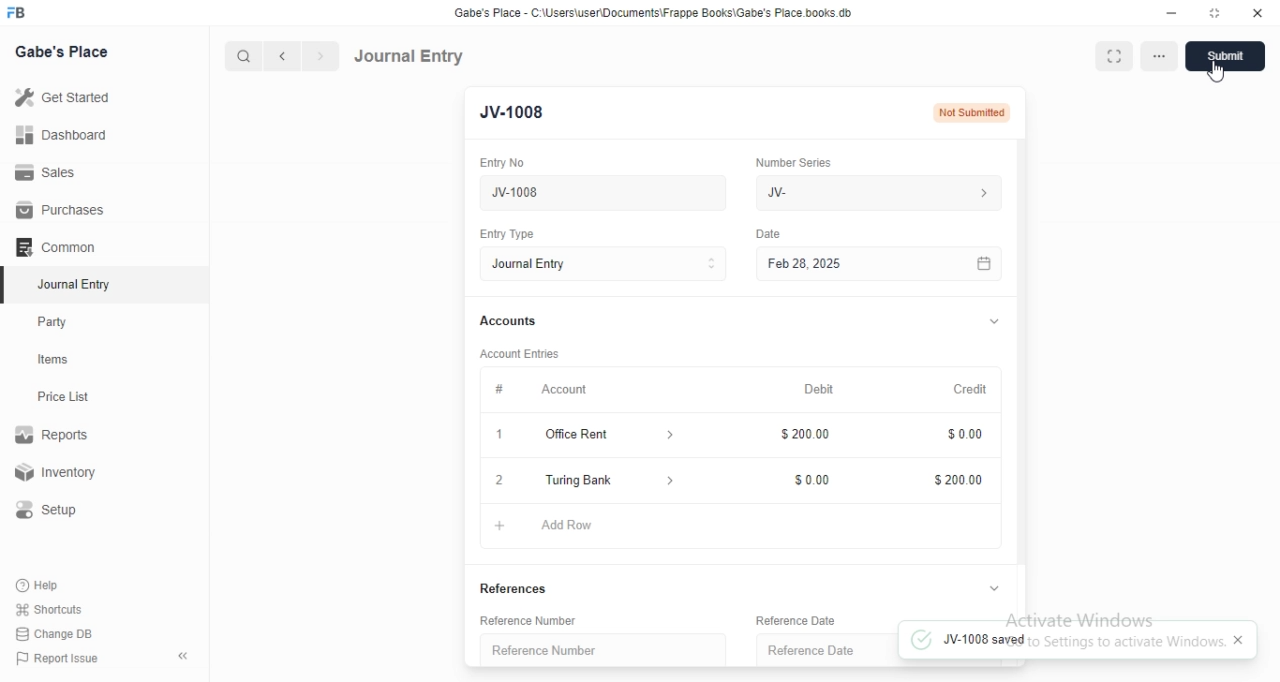 This screenshot has width=1280, height=682. What do you see at coordinates (804, 619) in the screenshot?
I see `Reference Date` at bounding box center [804, 619].